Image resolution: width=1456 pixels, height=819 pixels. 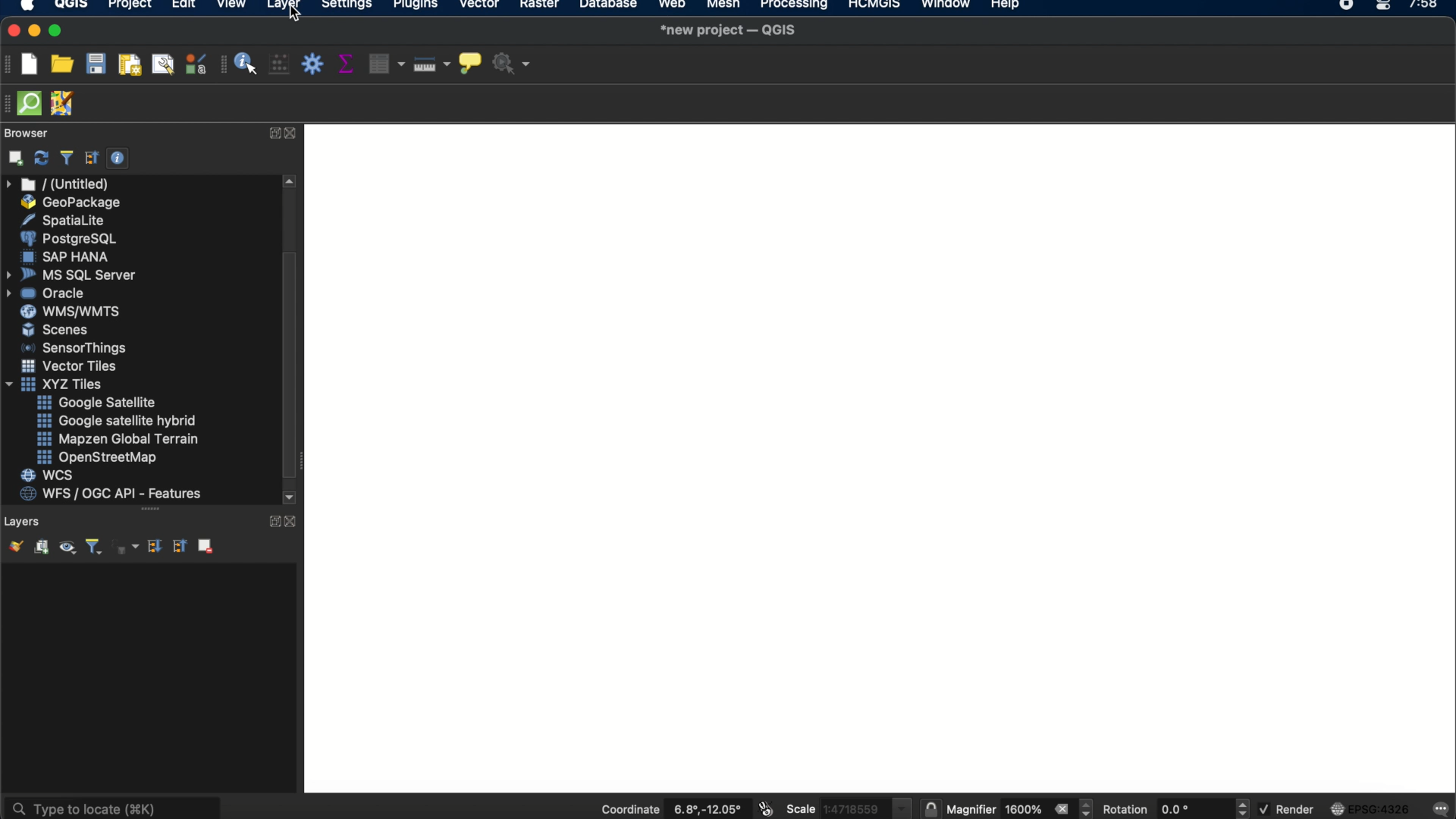 What do you see at coordinates (196, 64) in the screenshot?
I see `style manager` at bounding box center [196, 64].